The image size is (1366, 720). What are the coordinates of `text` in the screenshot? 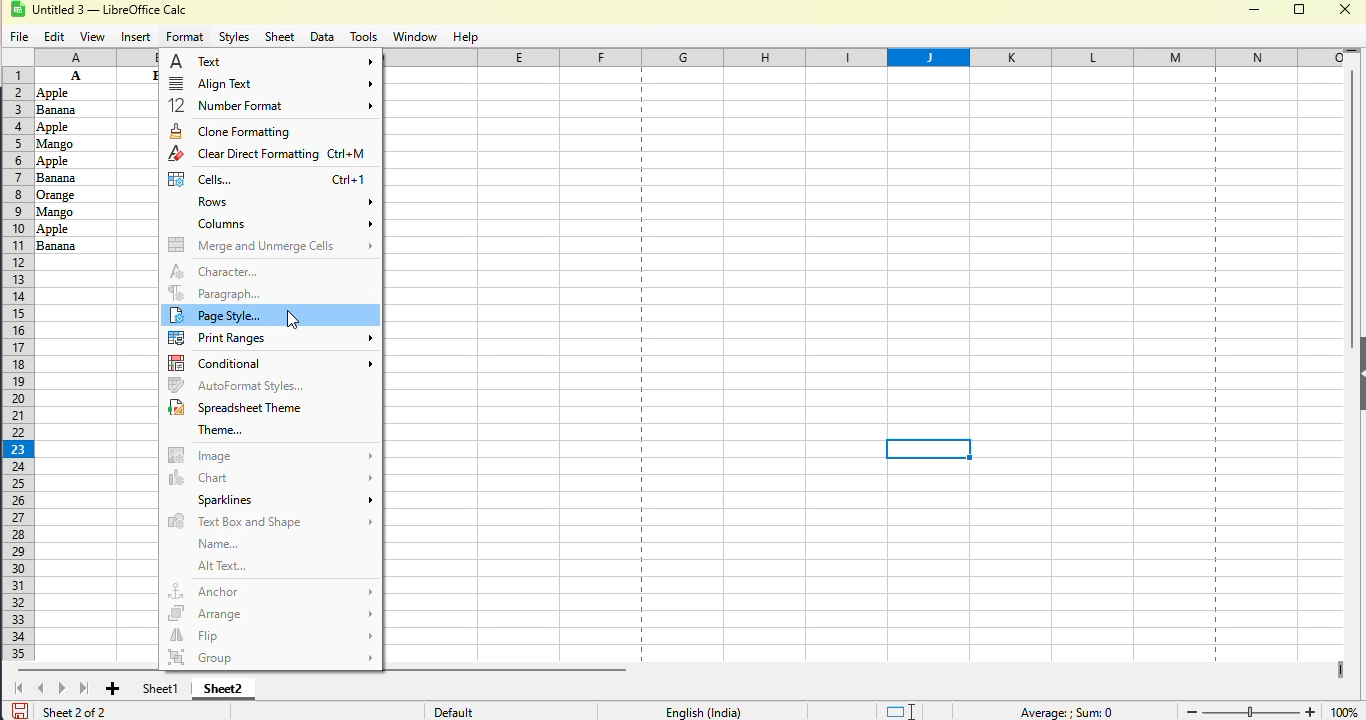 It's located at (272, 61).